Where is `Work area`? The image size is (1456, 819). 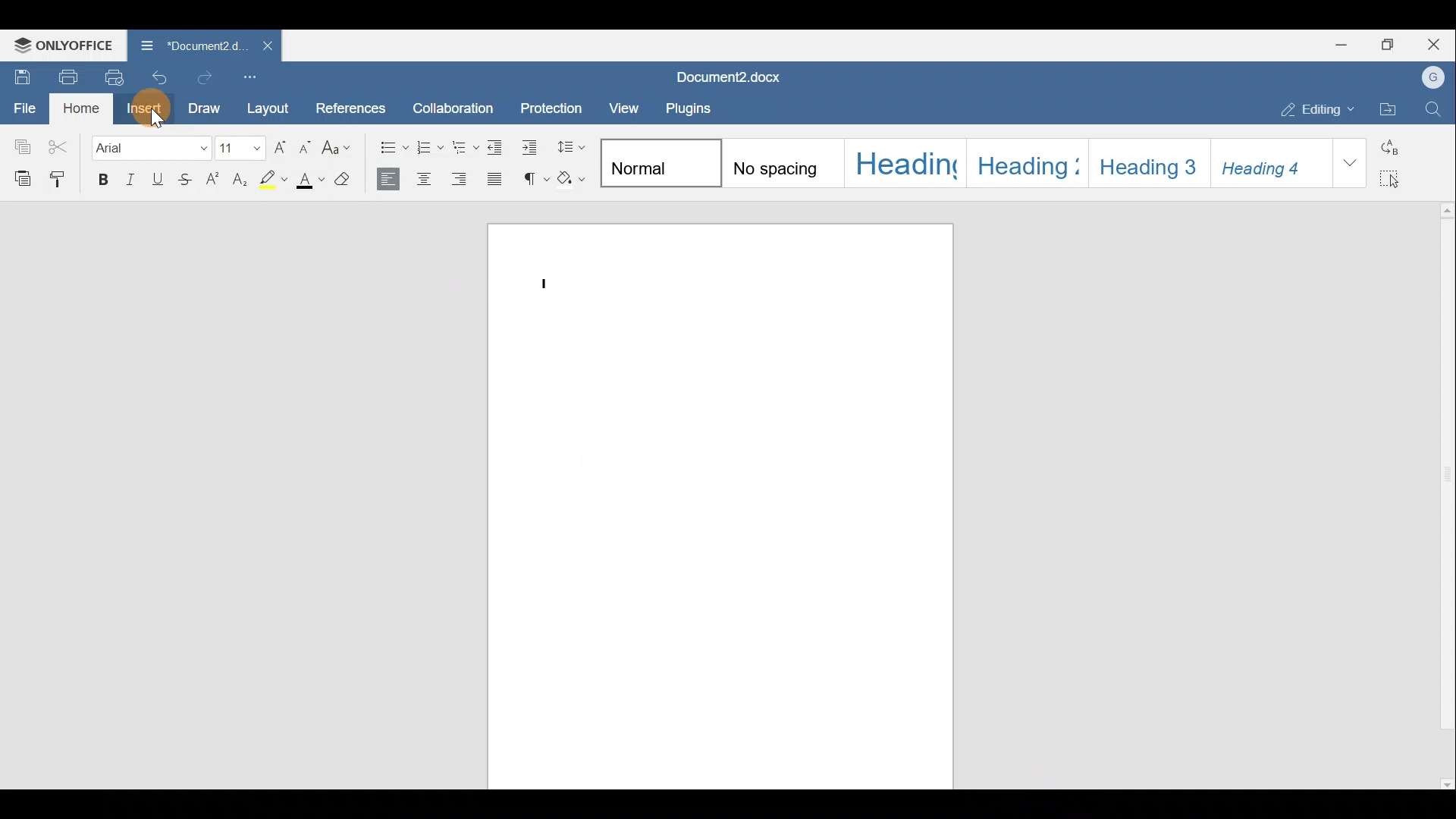
Work area is located at coordinates (710, 503).